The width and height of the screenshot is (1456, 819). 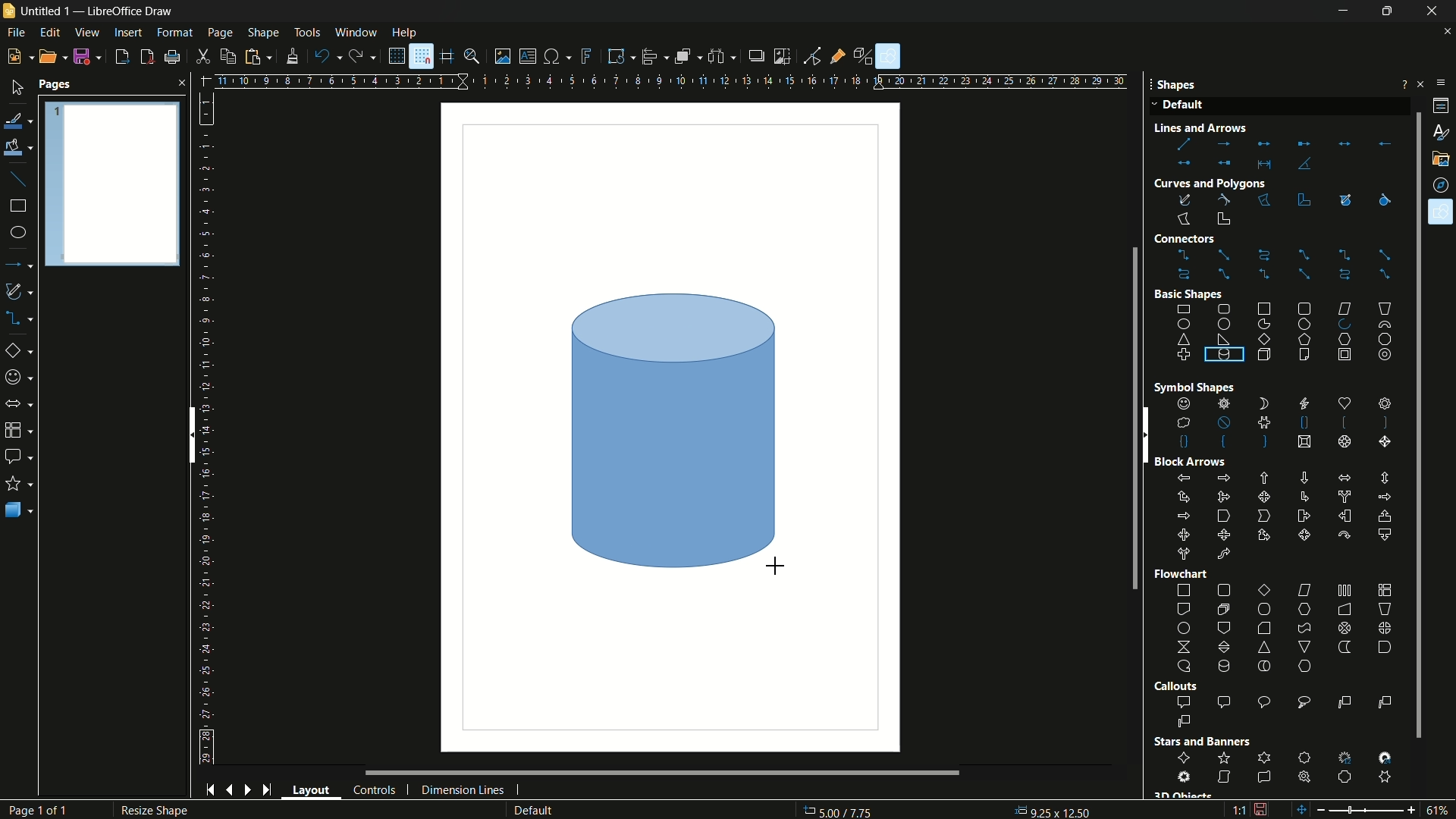 I want to click on export, so click(x=123, y=58).